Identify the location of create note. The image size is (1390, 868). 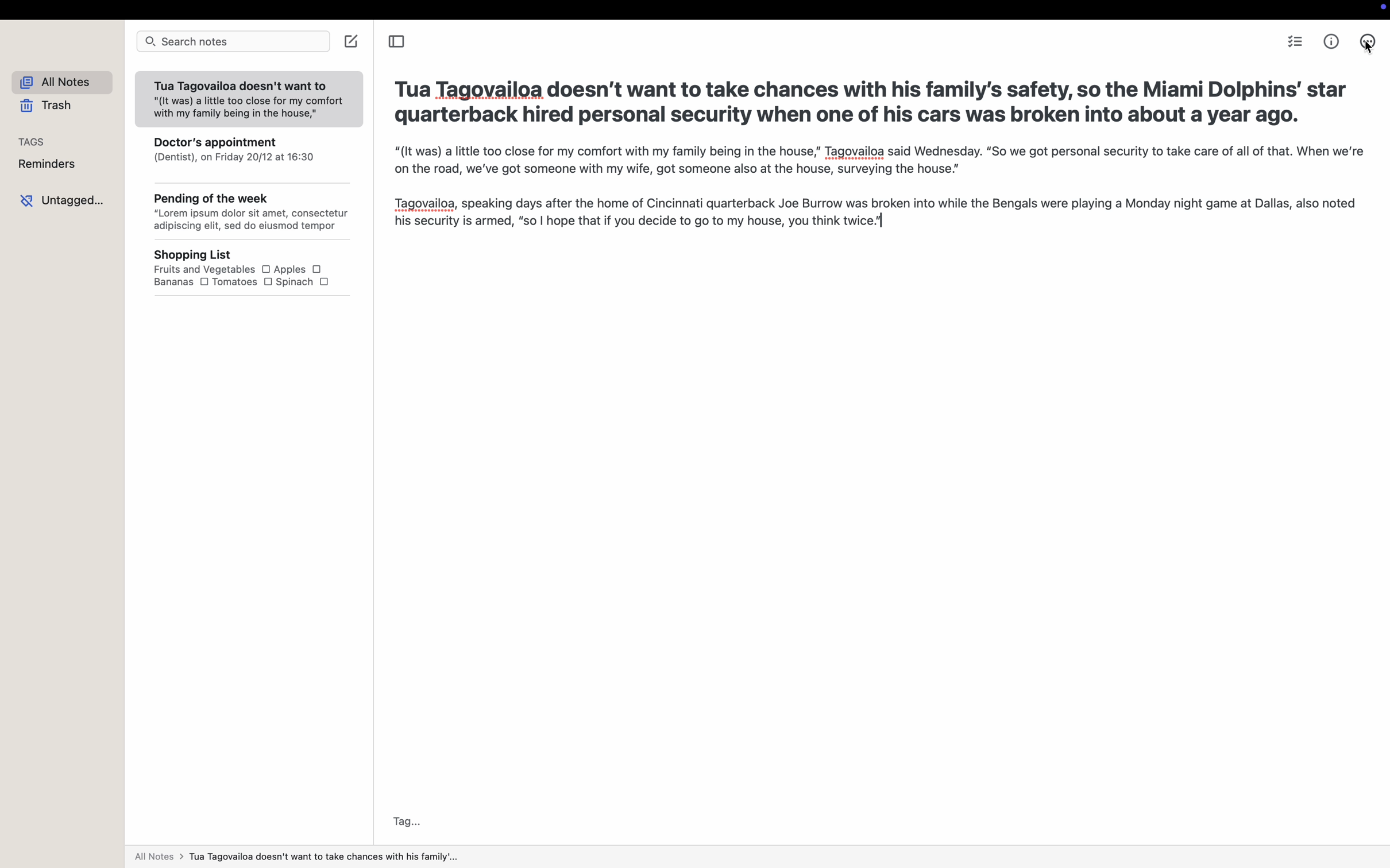
(353, 41).